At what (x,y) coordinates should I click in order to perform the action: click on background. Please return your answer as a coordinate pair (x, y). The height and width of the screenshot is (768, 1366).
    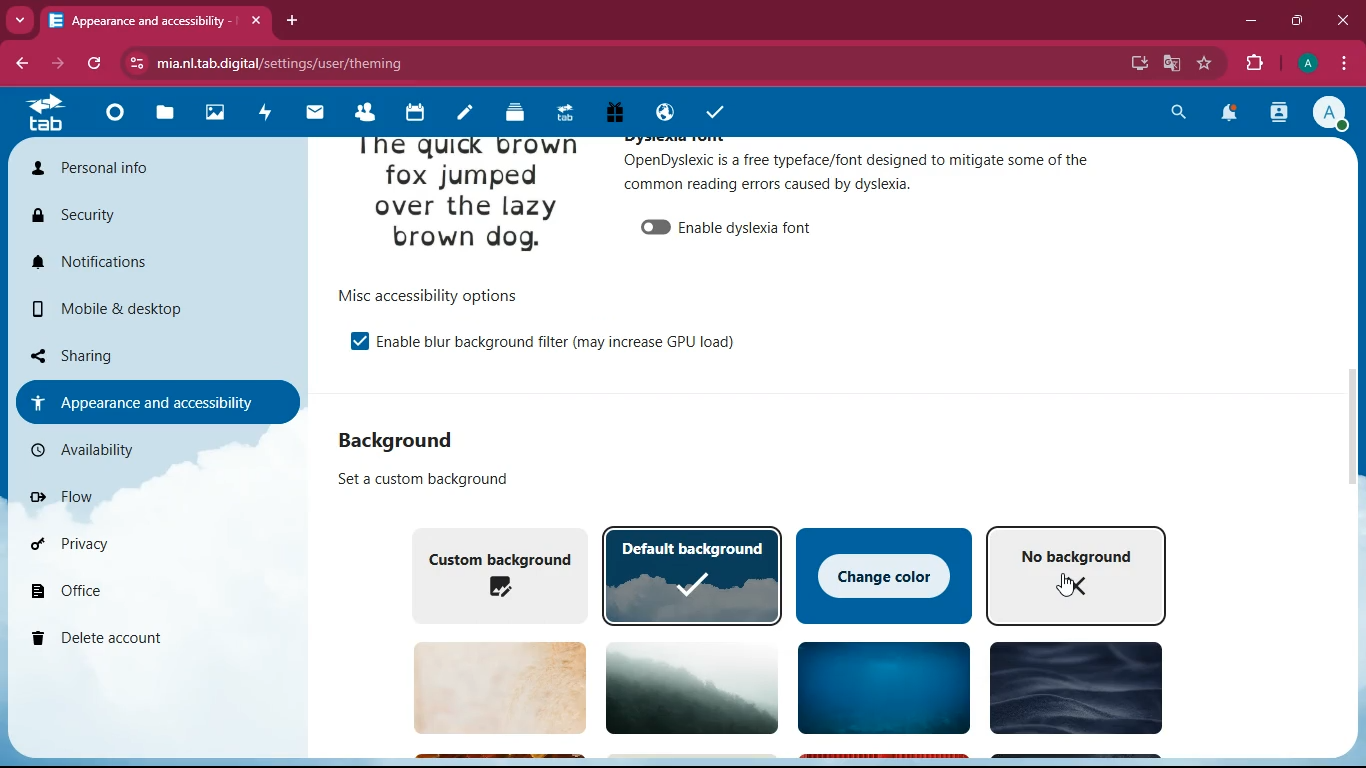
    Looking at the image, I should click on (684, 686).